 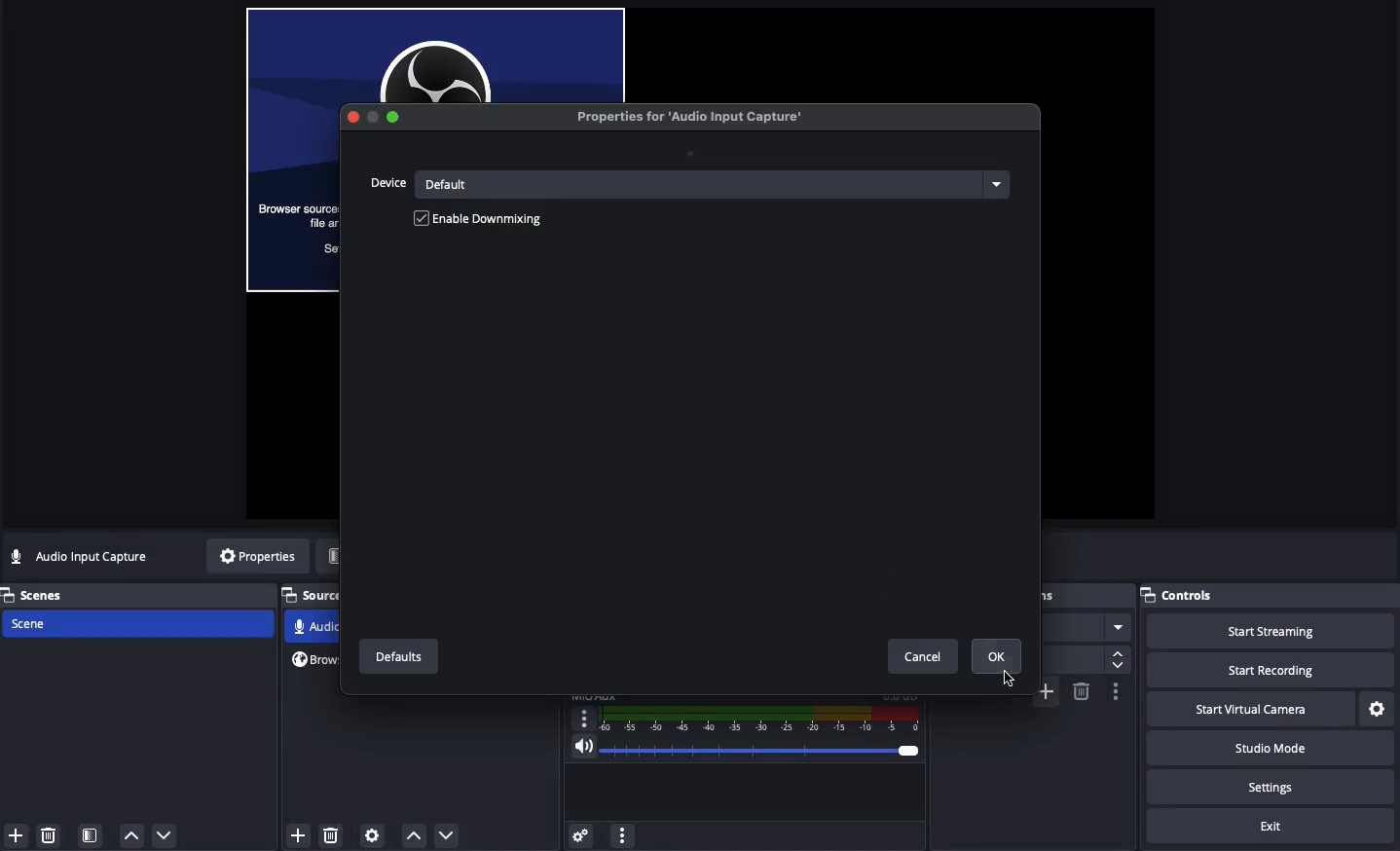 I want to click on Start streaming, so click(x=1269, y=632).